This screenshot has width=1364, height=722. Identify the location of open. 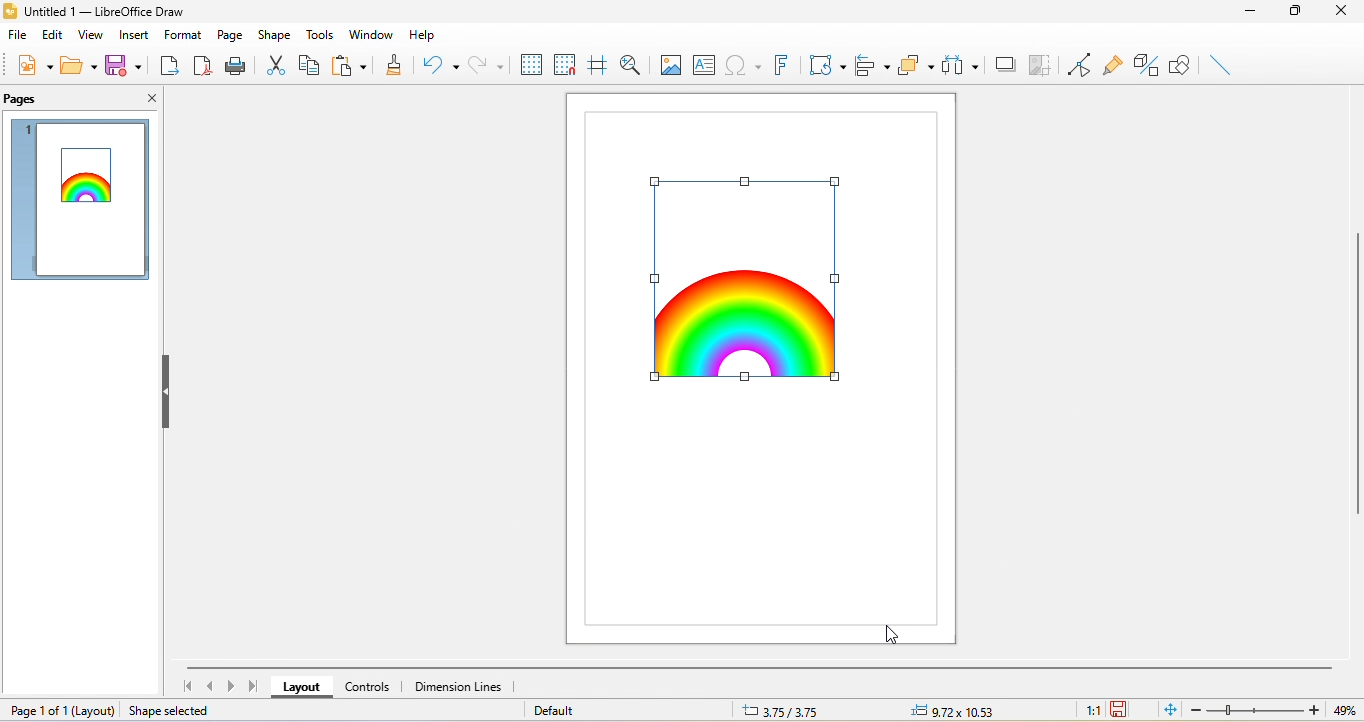
(76, 65).